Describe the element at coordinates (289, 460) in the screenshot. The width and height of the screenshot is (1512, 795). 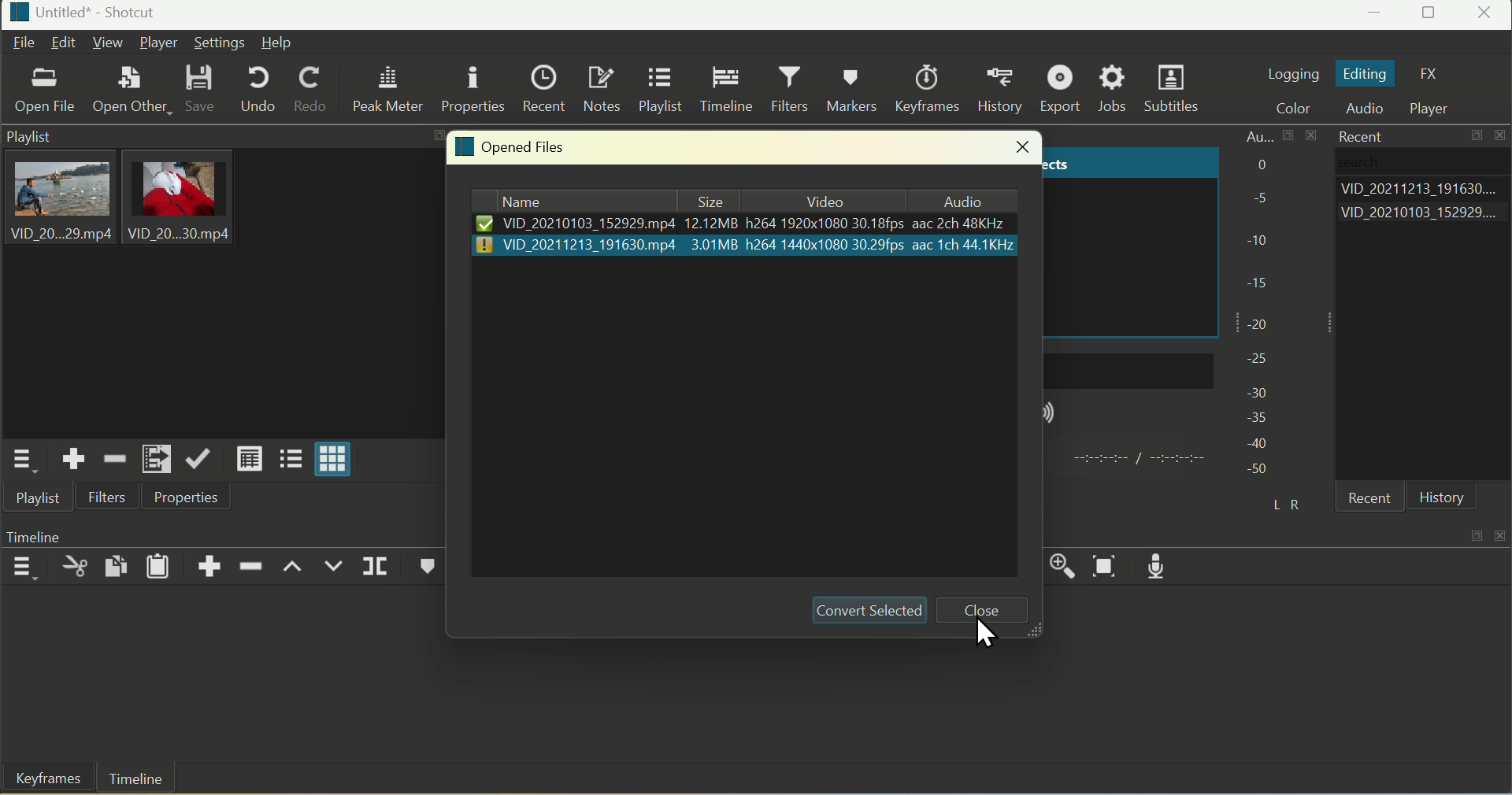
I see `View as tiles` at that location.